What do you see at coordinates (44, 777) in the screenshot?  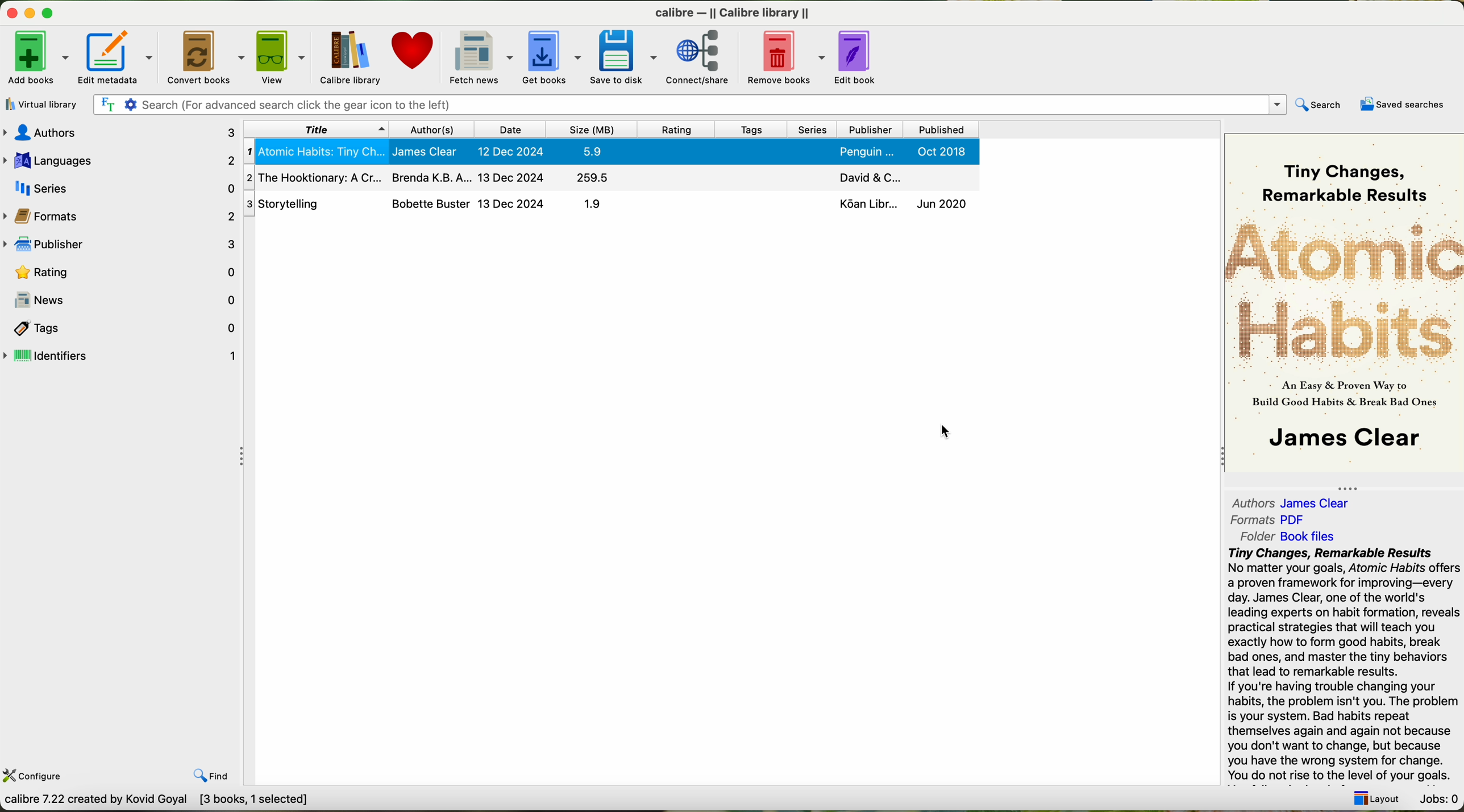 I see `configure` at bounding box center [44, 777].